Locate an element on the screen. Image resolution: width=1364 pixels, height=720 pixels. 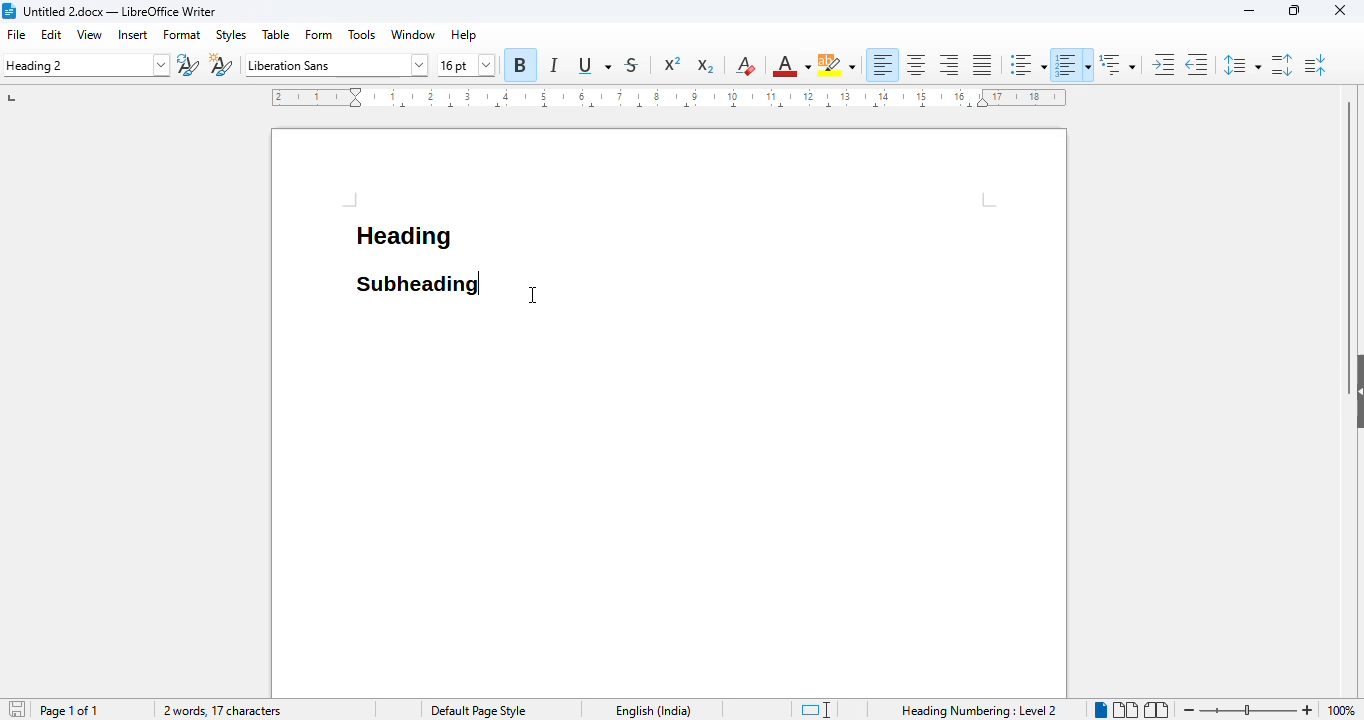
set outline format is located at coordinates (1117, 63).